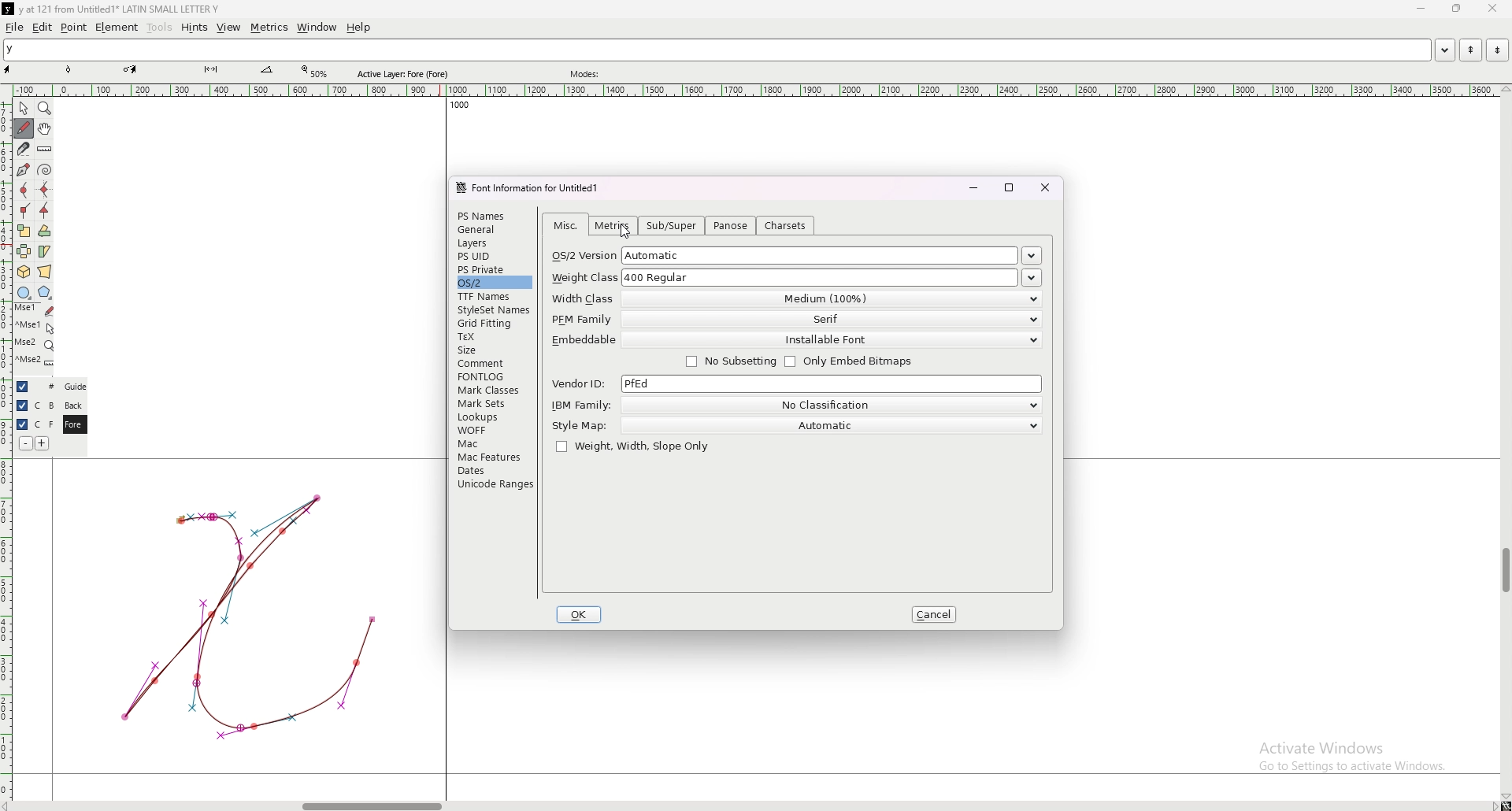  I want to click on dates, so click(494, 470).